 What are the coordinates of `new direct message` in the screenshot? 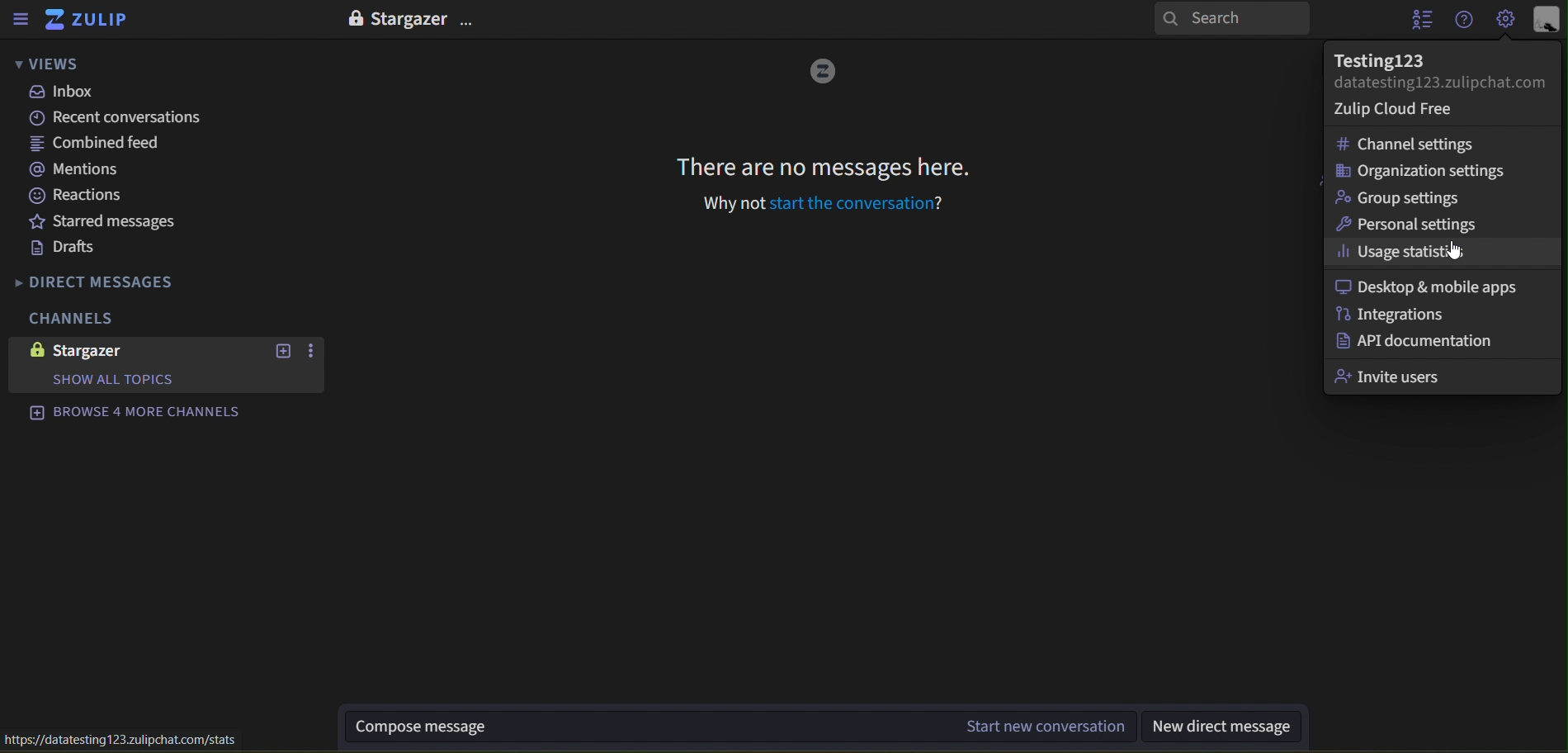 It's located at (1227, 729).